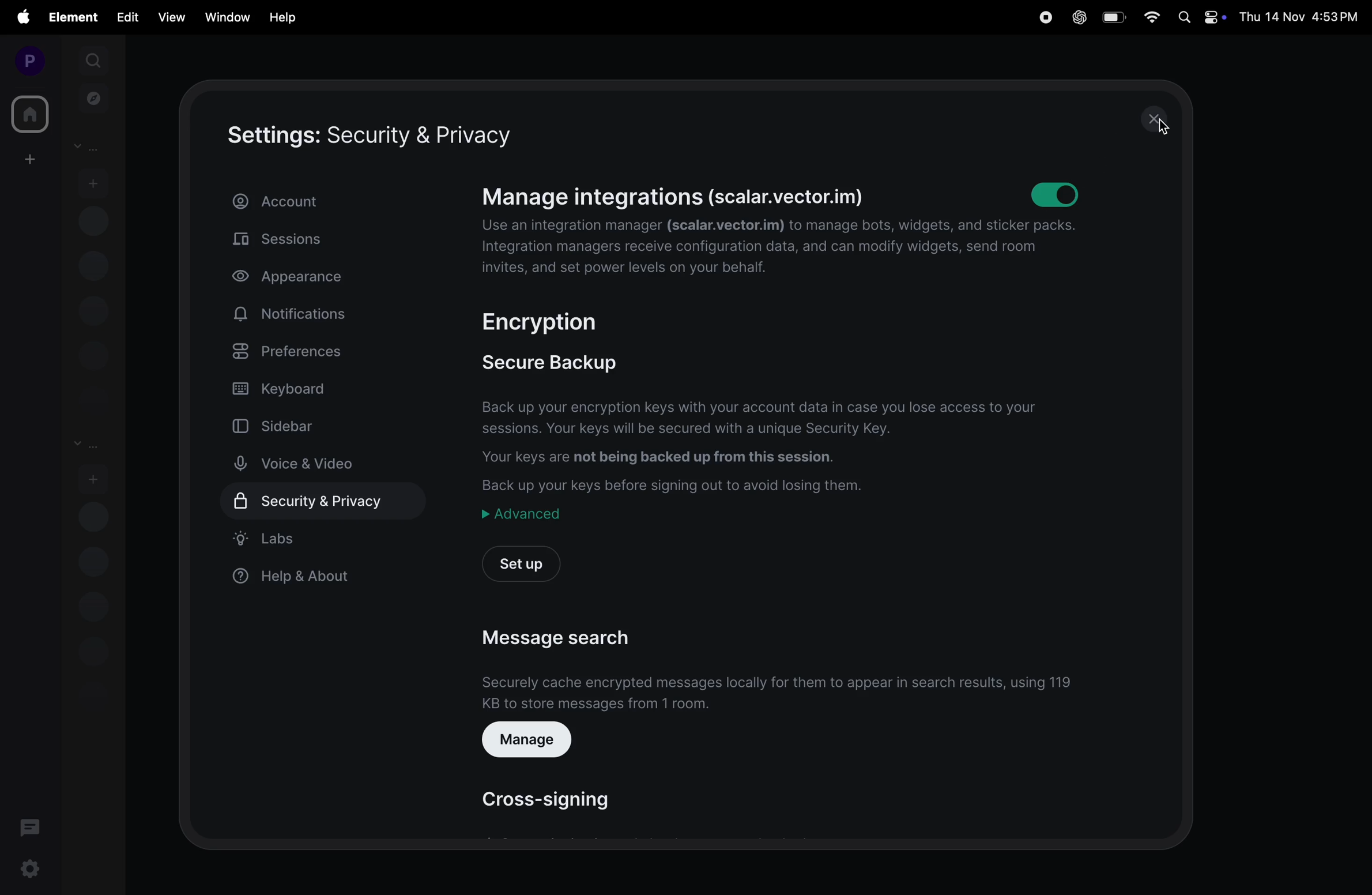 This screenshot has width=1372, height=895. I want to click on secure backup, so click(559, 362).